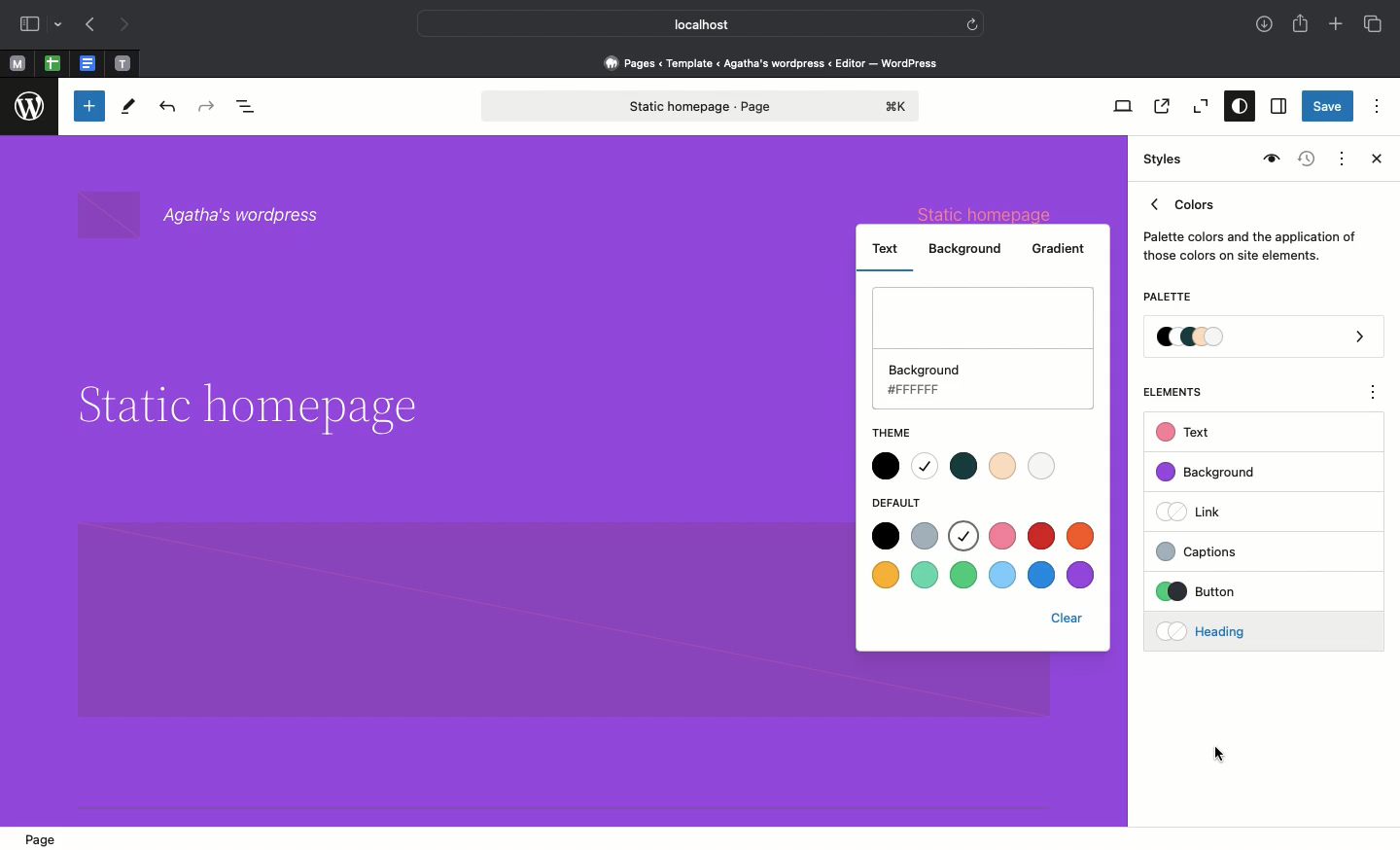  What do you see at coordinates (1183, 392) in the screenshot?
I see `Elements` at bounding box center [1183, 392].